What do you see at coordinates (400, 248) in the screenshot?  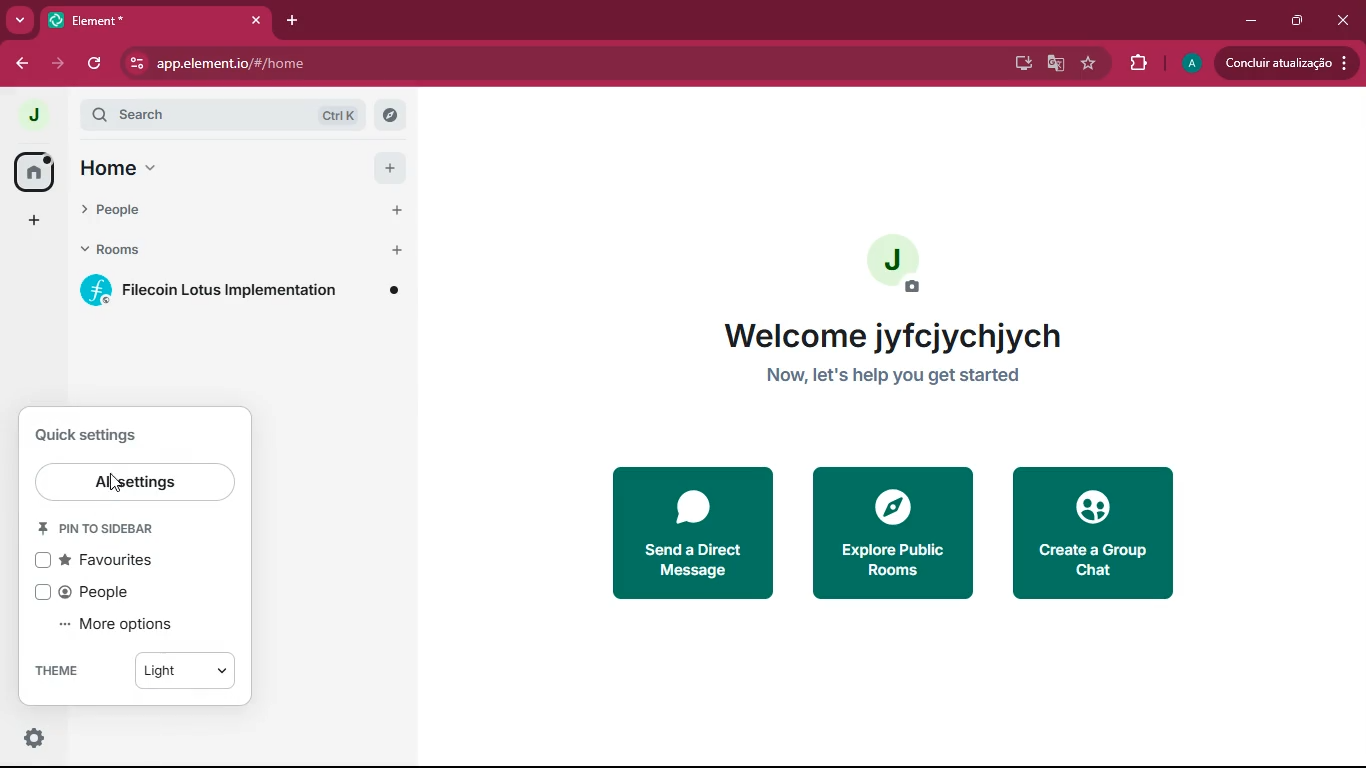 I see `add` at bounding box center [400, 248].